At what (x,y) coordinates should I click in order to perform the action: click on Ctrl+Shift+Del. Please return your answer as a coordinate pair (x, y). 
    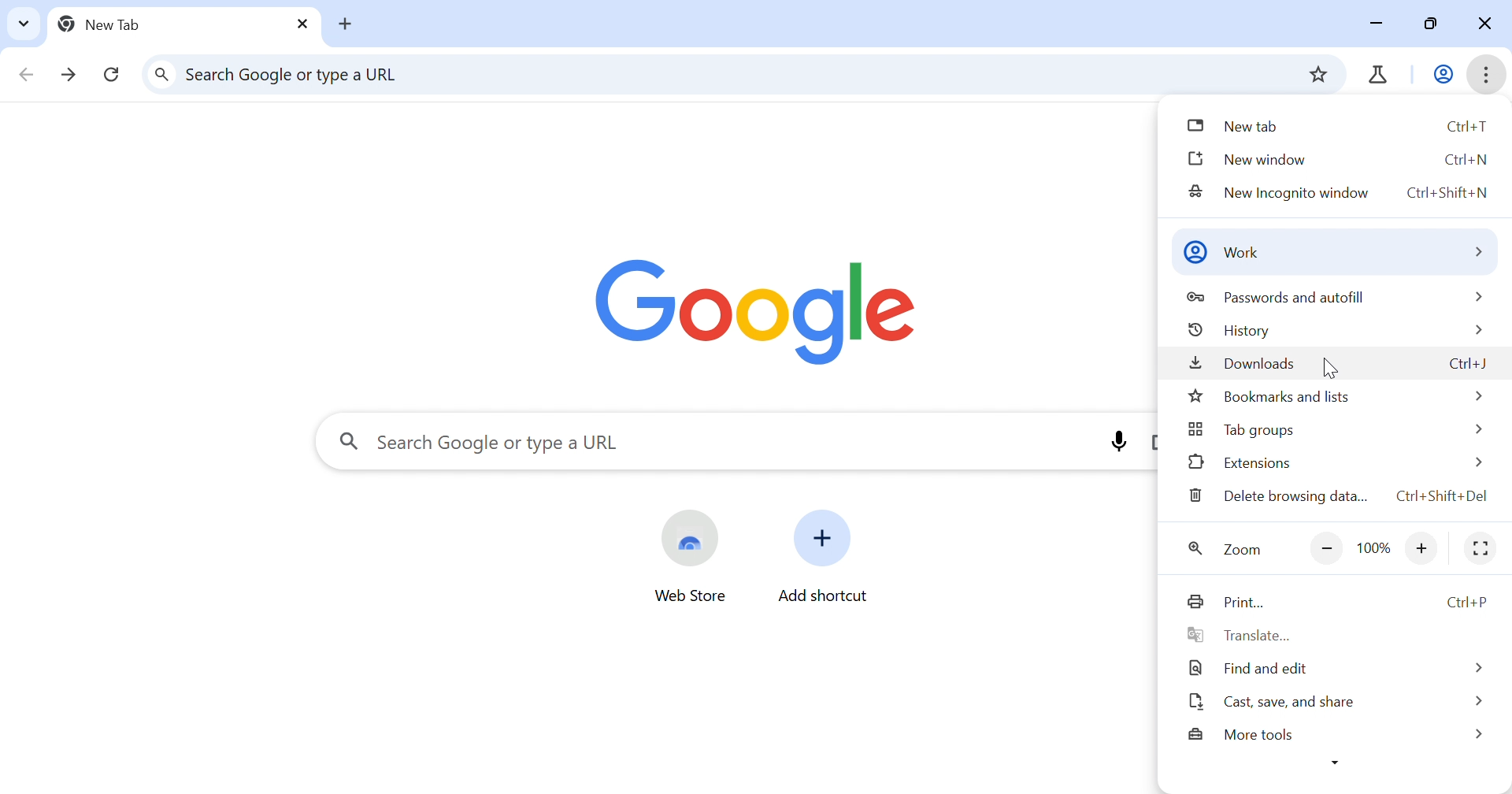
    Looking at the image, I should click on (1443, 495).